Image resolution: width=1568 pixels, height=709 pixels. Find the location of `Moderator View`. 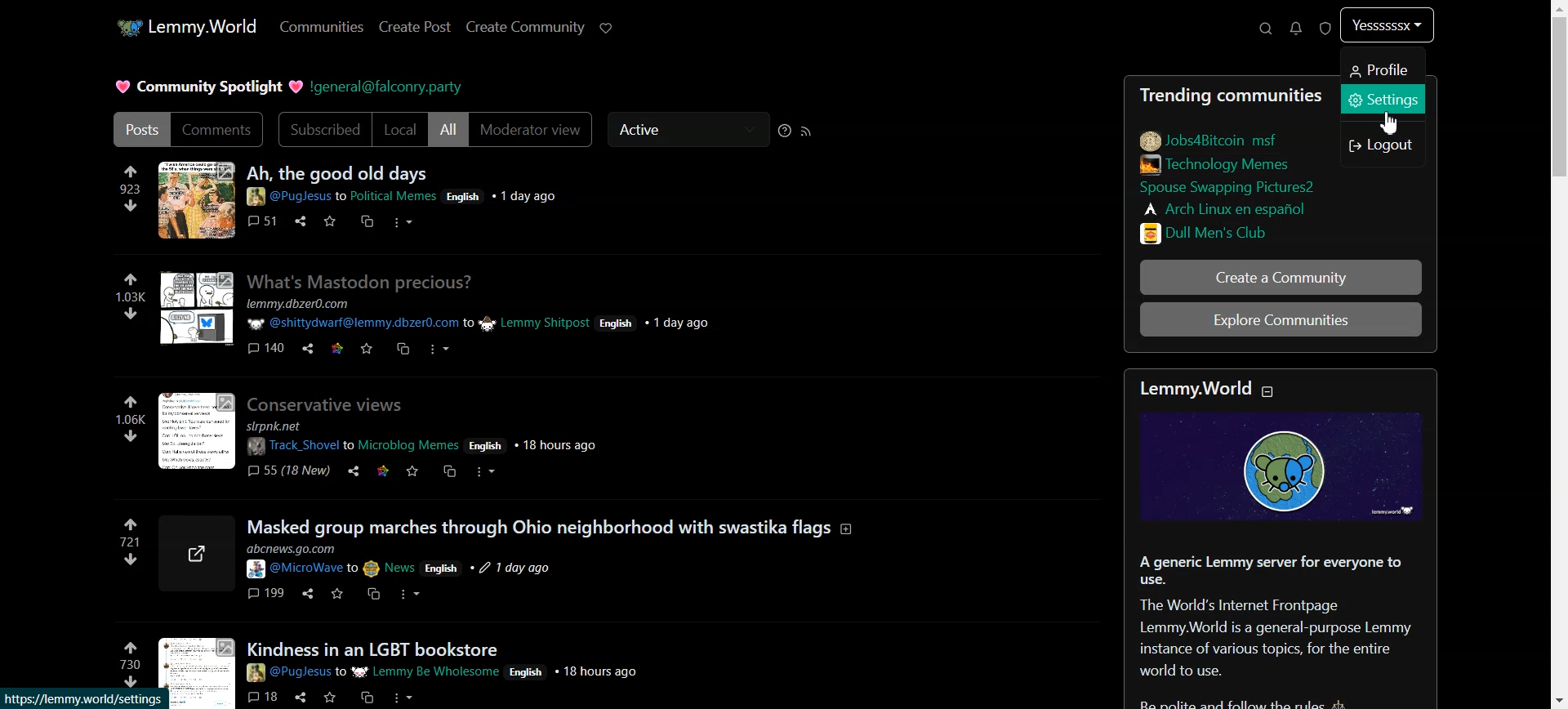

Moderator View is located at coordinates (532, 132).